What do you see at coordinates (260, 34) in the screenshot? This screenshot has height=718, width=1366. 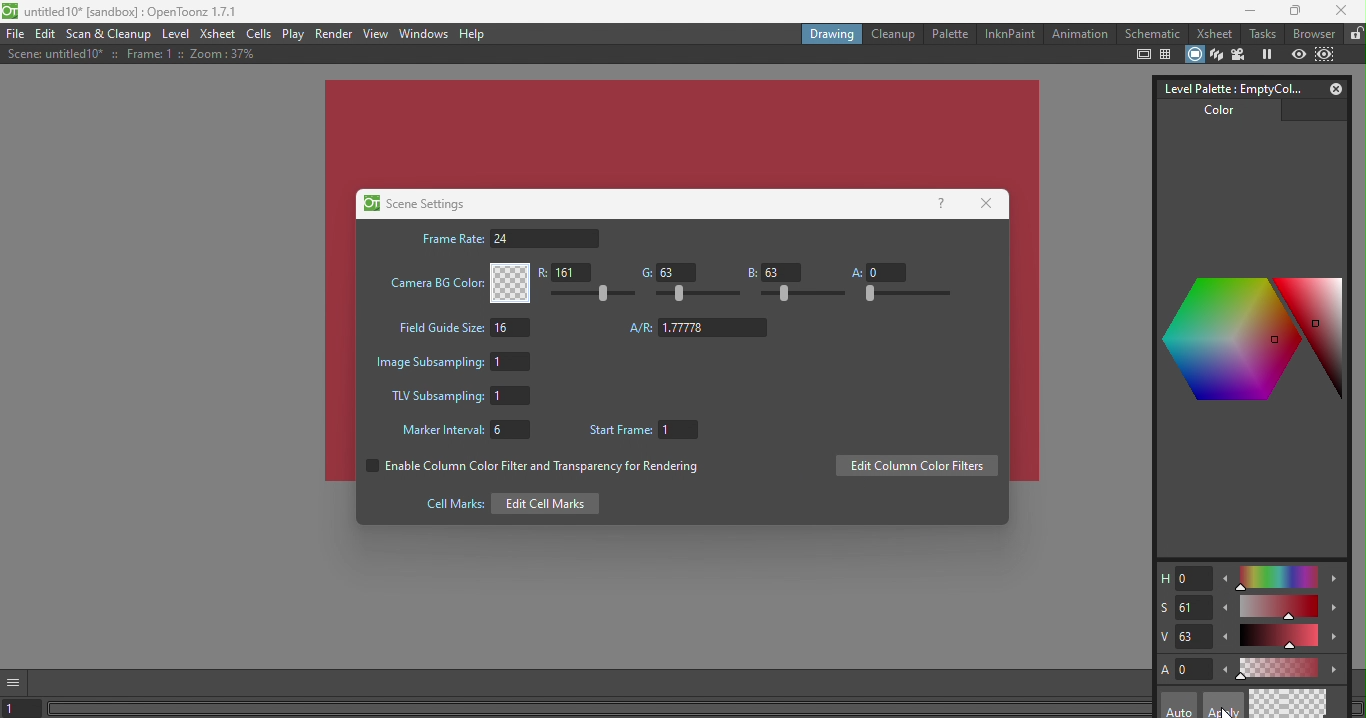 I see `Cells` at bounding box center [260, 34].